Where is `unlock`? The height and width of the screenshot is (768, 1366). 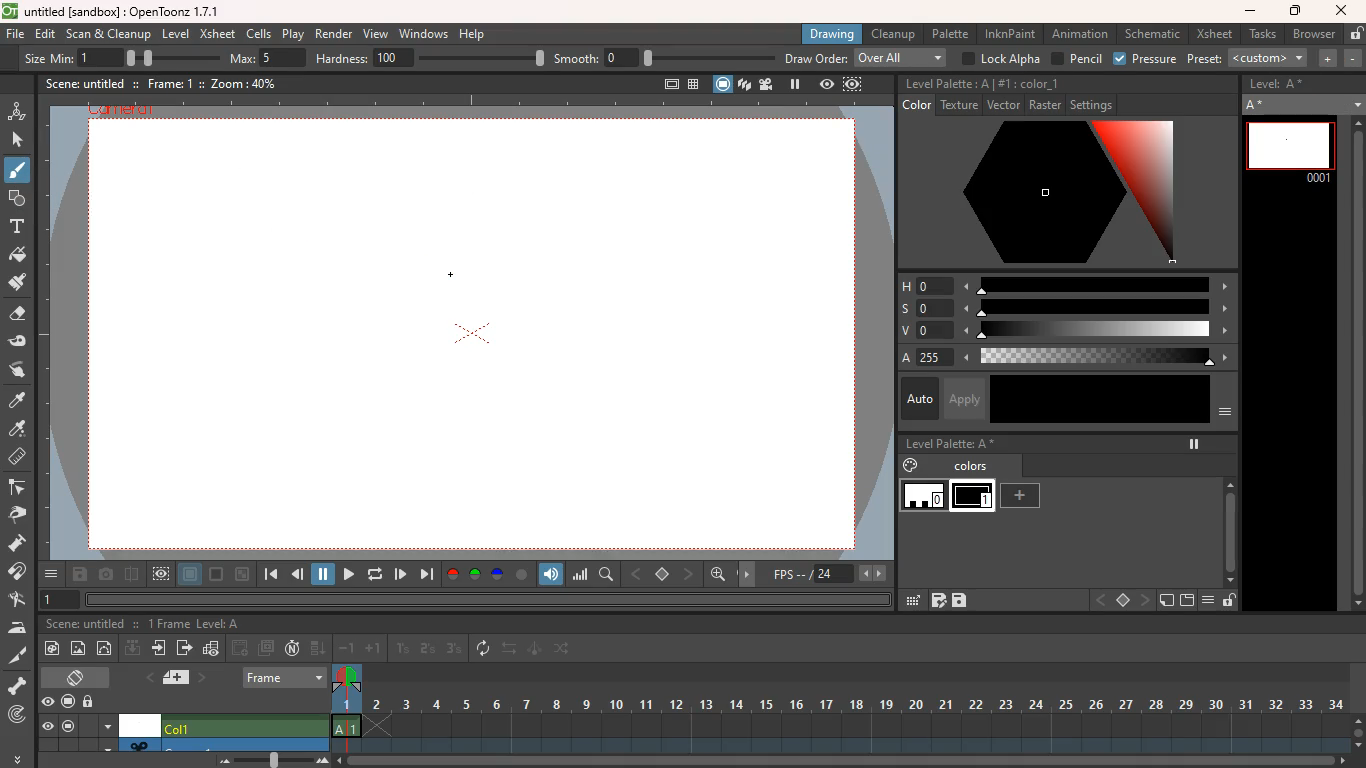 unlock is located at coordinates (92, 701).